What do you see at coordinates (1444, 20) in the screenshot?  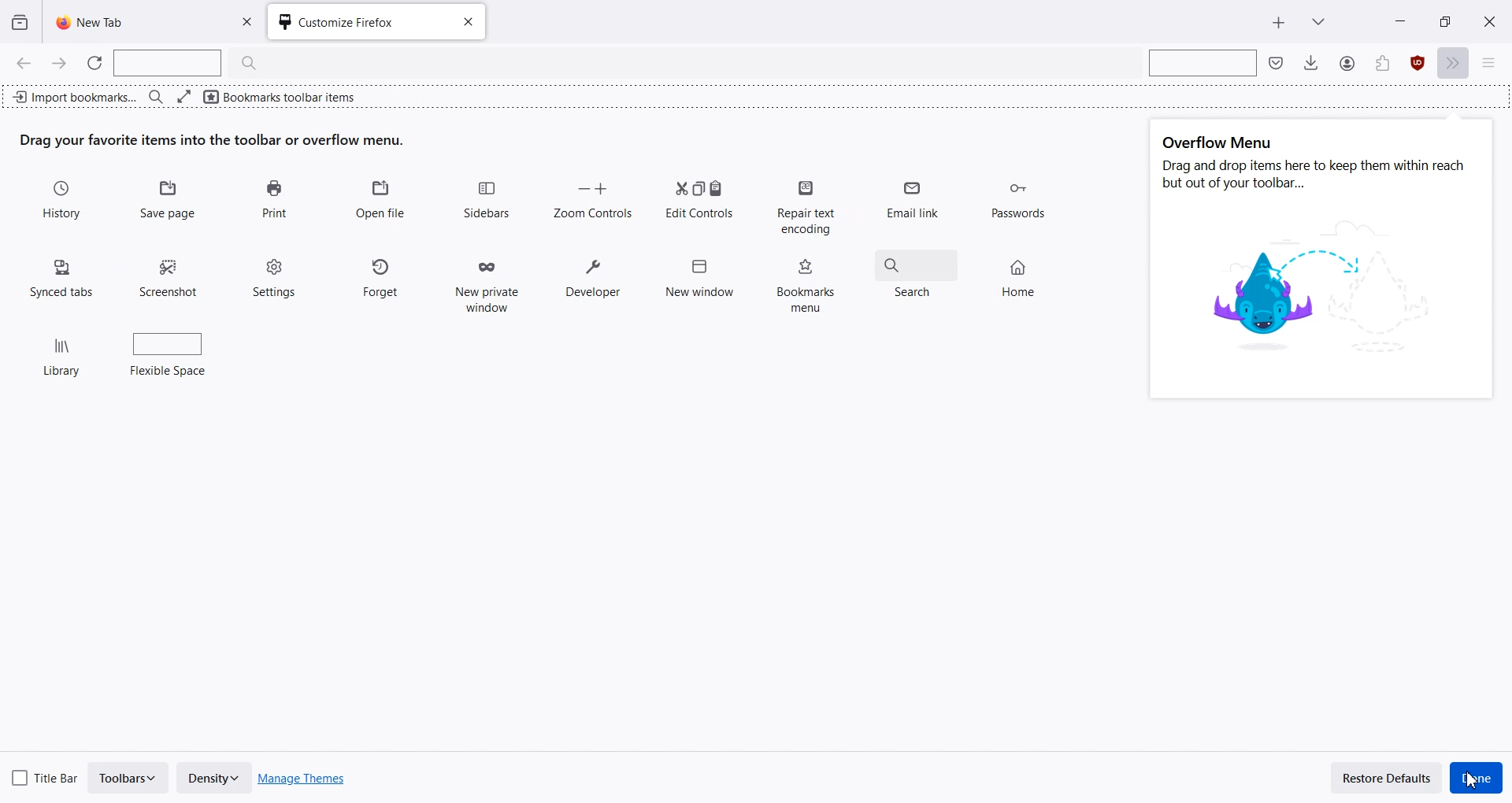 I see `Maximize` at bounding box center [1444, 20].